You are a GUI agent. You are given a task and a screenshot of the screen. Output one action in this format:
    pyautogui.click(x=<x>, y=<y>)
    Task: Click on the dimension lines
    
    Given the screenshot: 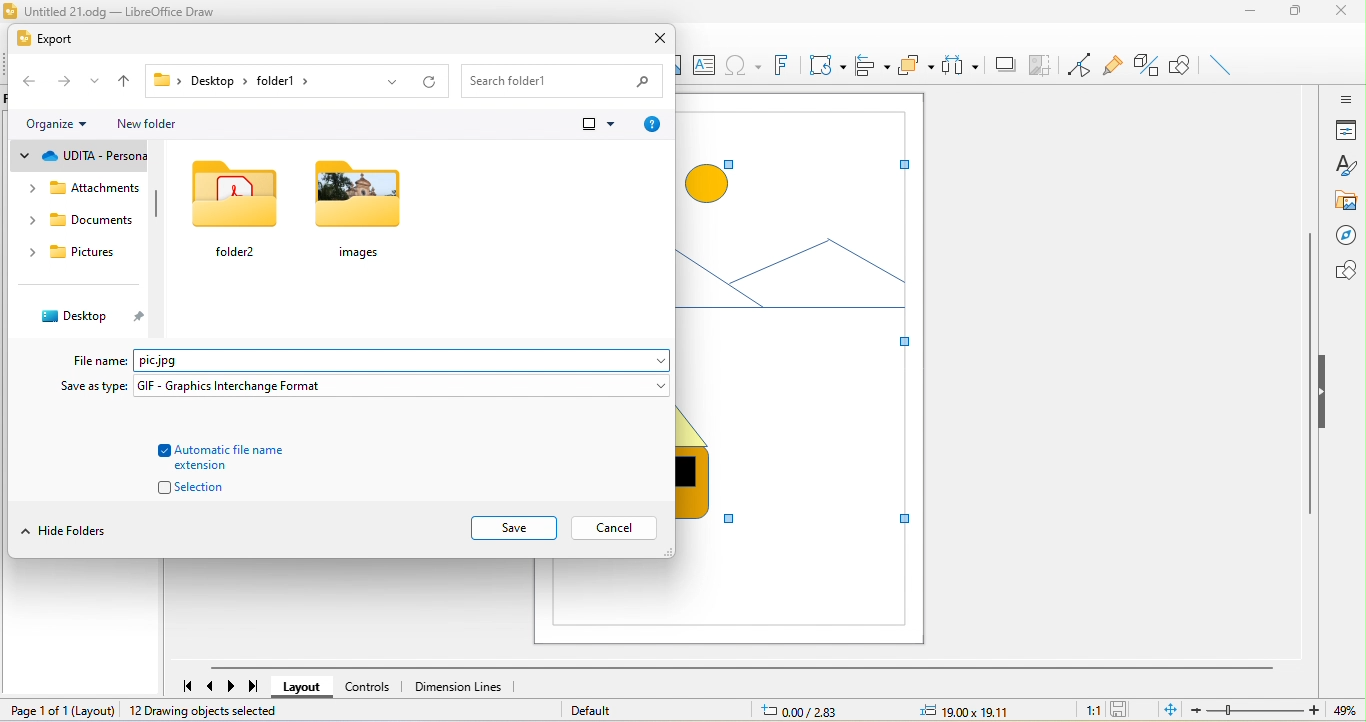 What is the action you would take?
    pyautogui.click(x=459, y=686)
    